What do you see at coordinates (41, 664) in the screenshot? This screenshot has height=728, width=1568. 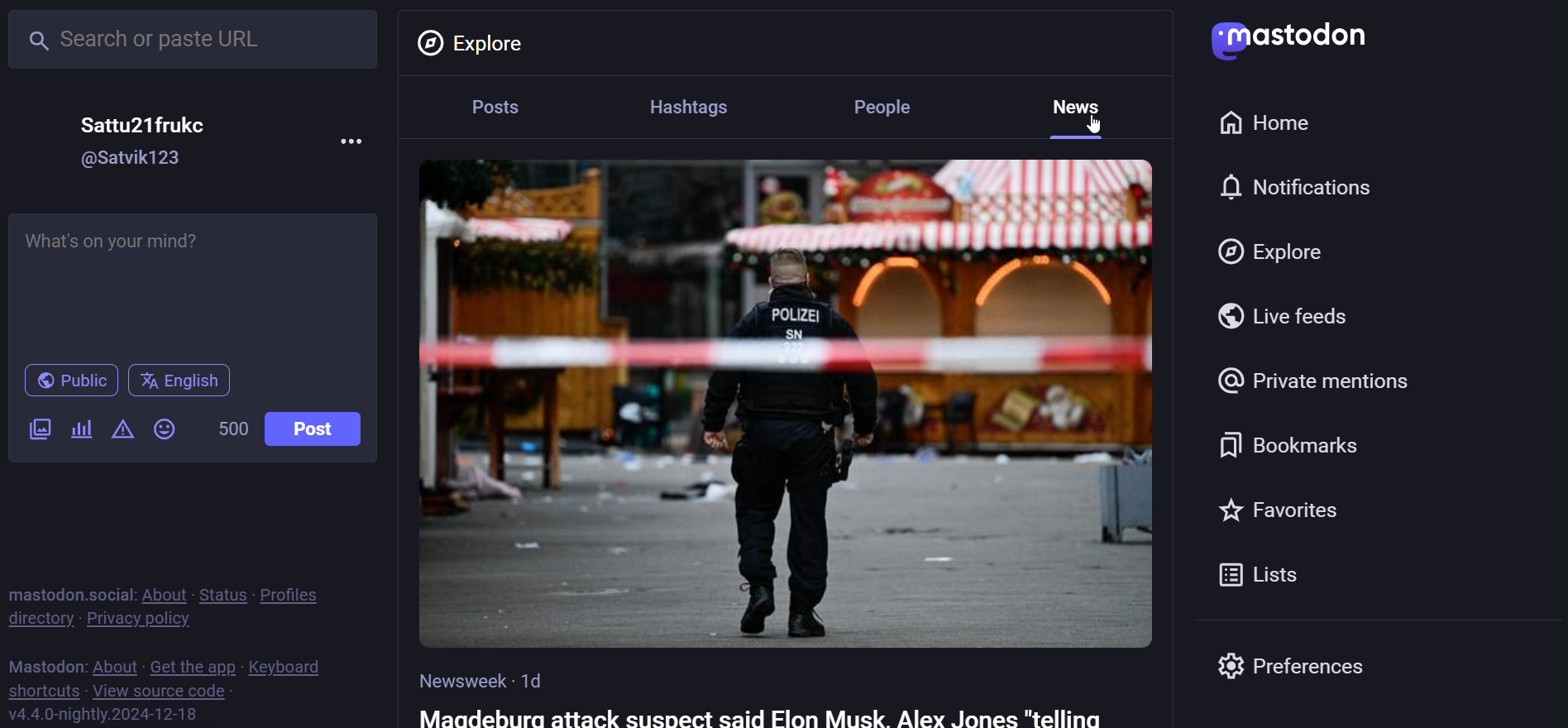 I see `mastodon` at bounding box center [41, 664].